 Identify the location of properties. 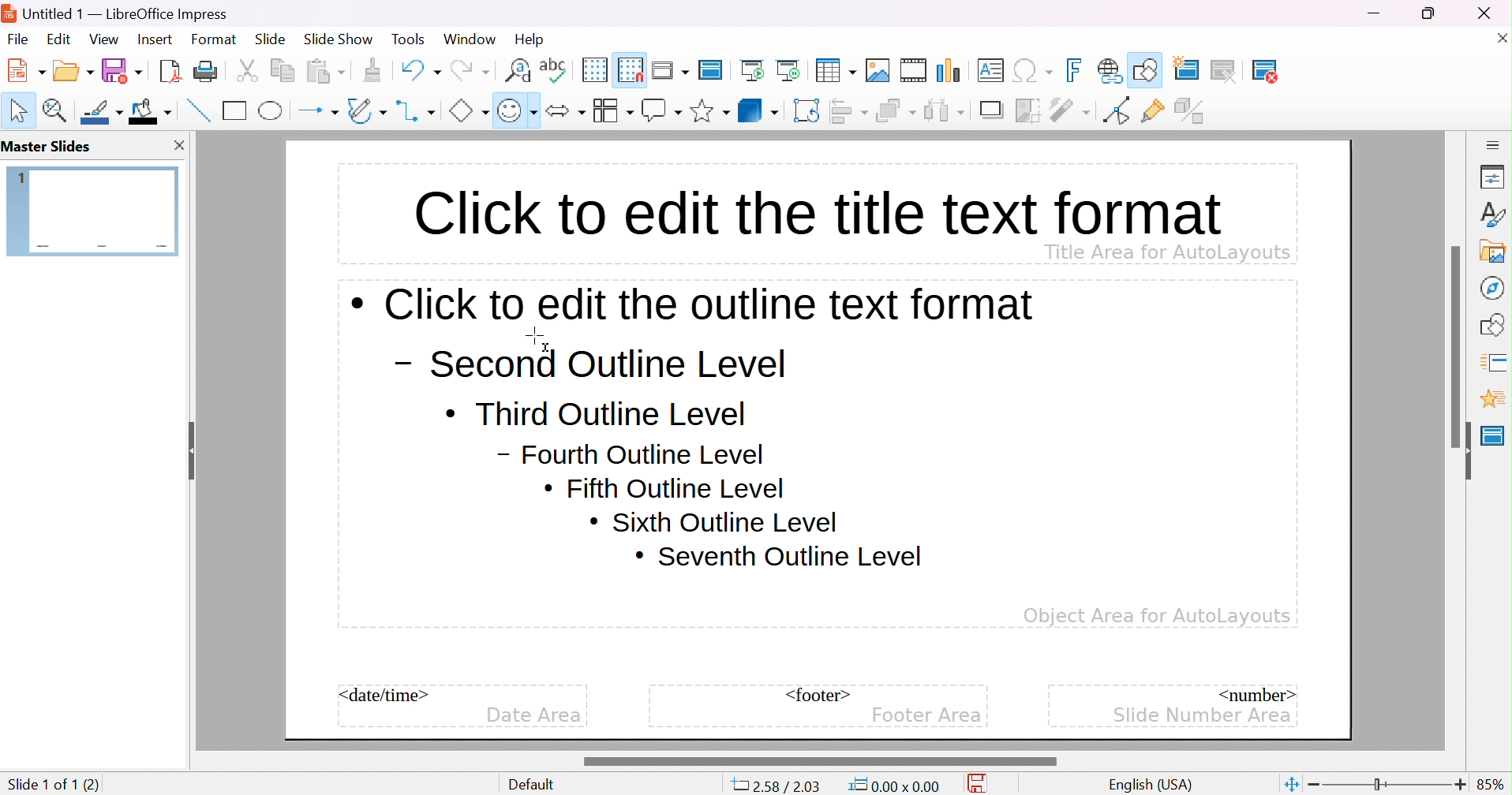
(1493, 178).